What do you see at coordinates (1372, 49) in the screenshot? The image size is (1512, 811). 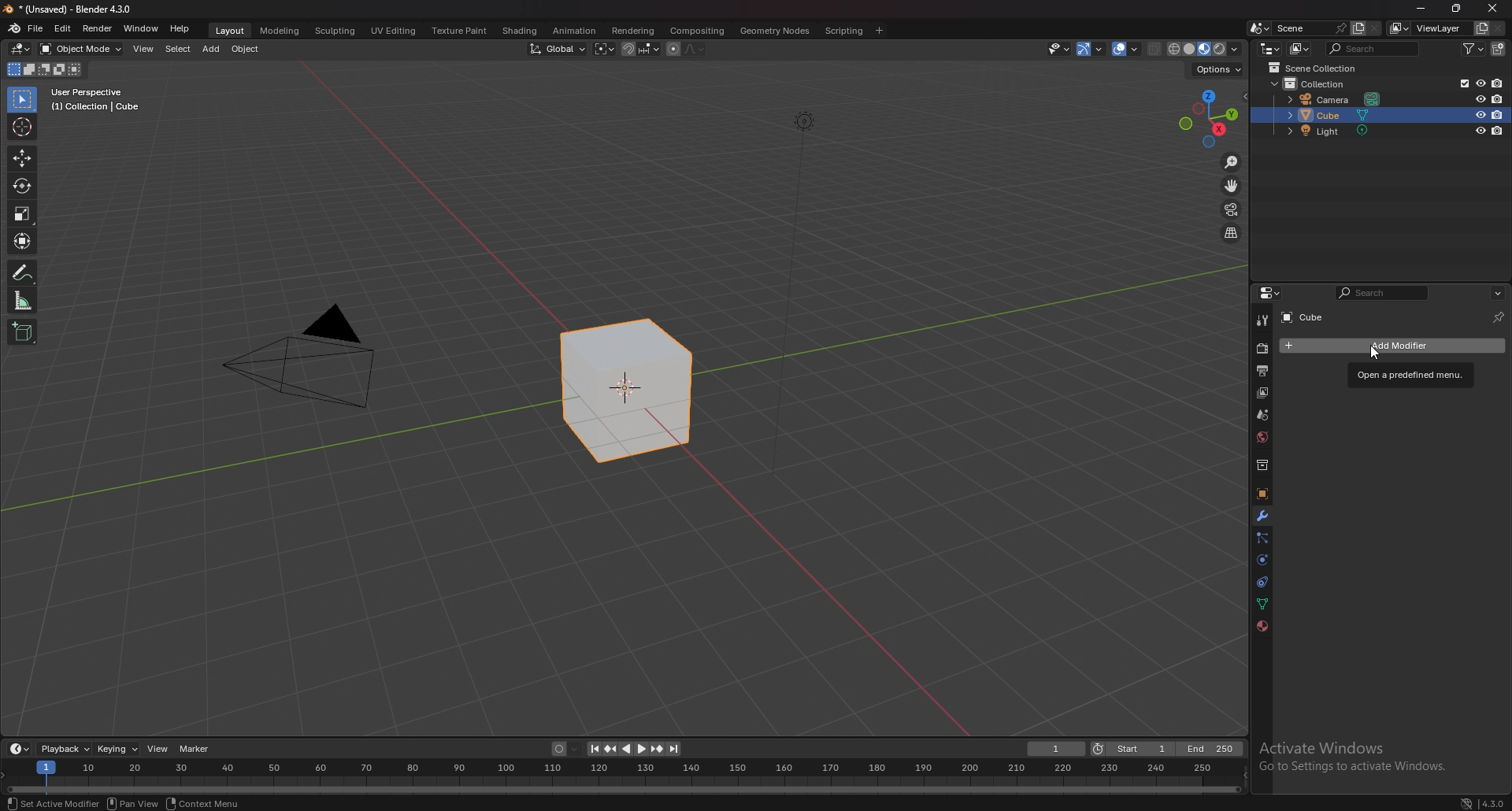 I see `search` at bounding box center [1372, 49].